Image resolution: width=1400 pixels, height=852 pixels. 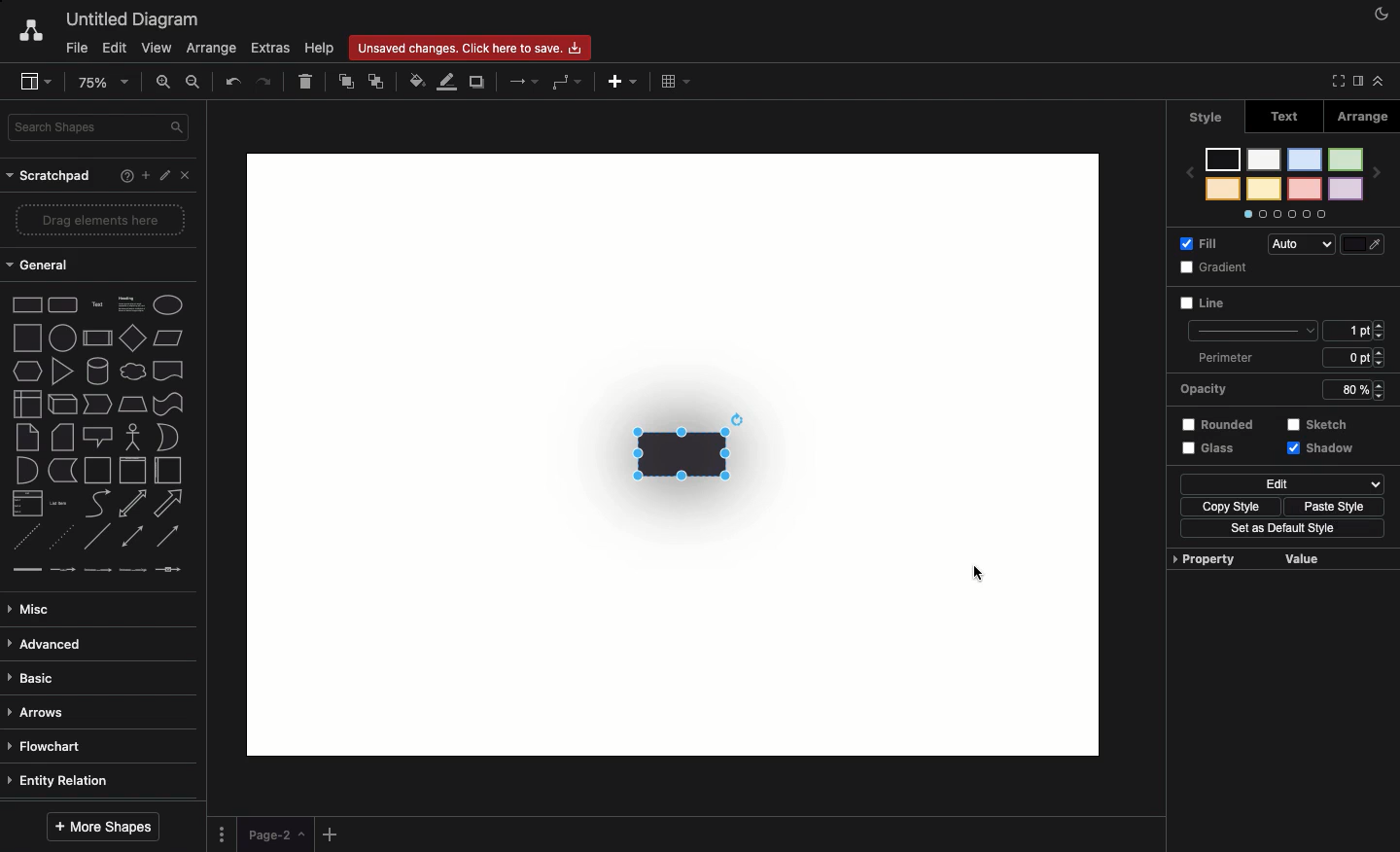 What do you see at coordinates (1250, 328) in the screenshot?
I see `line` at bounding box center [1250, 328].